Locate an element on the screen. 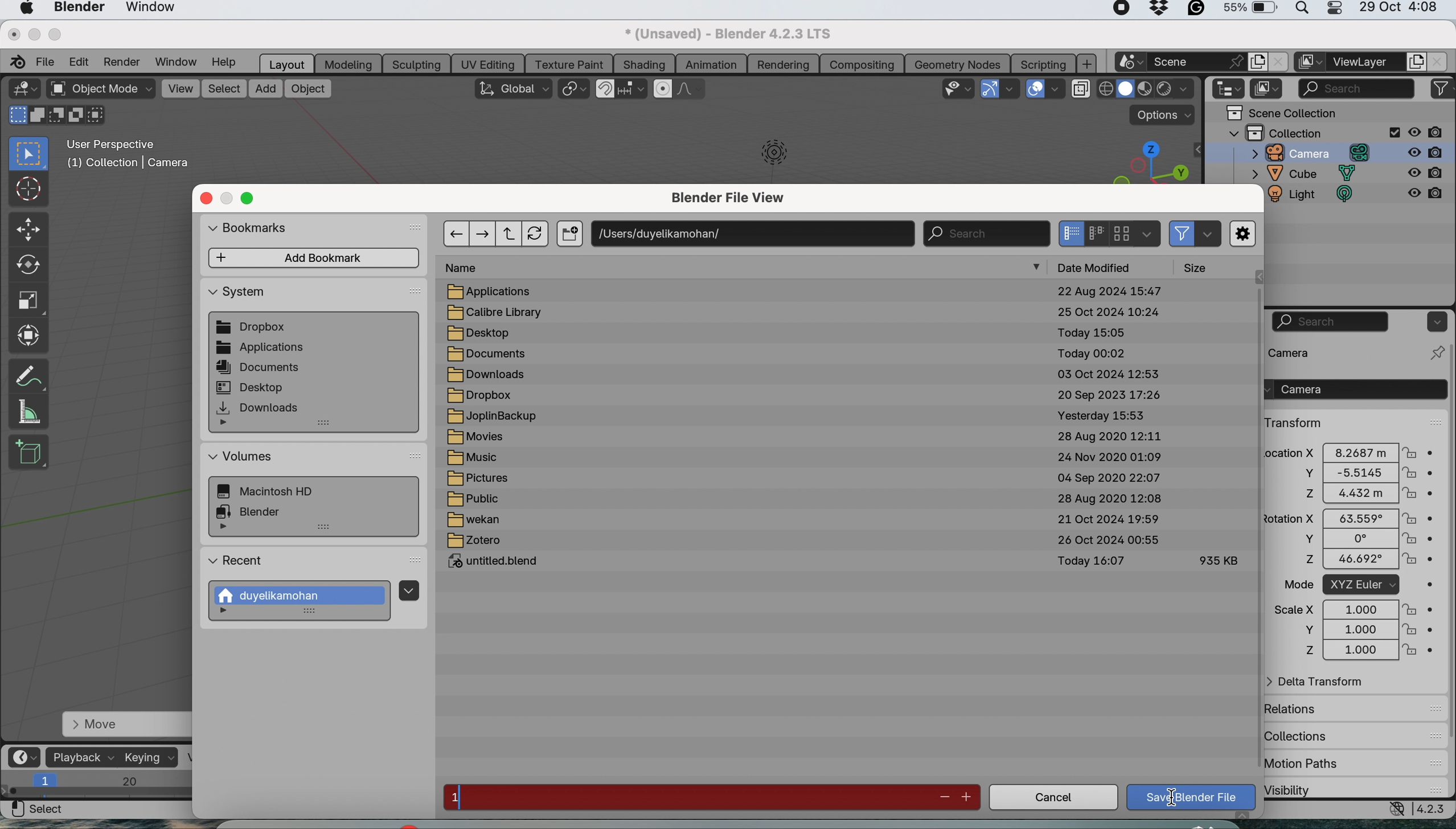 This screenshot has width=1456, height=829. move is located at coordinates (29, 230).